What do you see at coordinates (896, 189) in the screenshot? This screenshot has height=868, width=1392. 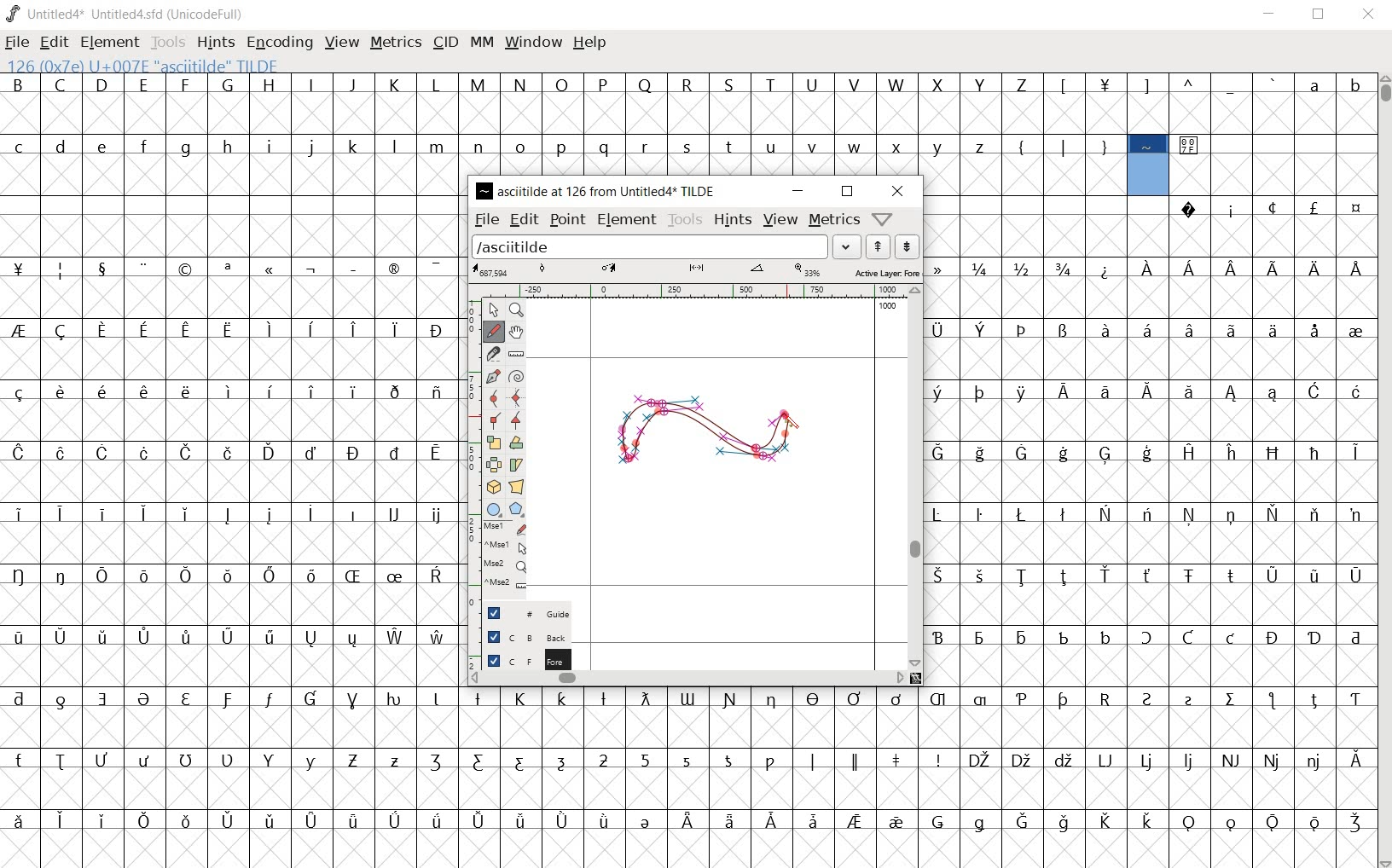 I see `close` at bounding box center [896, 189].